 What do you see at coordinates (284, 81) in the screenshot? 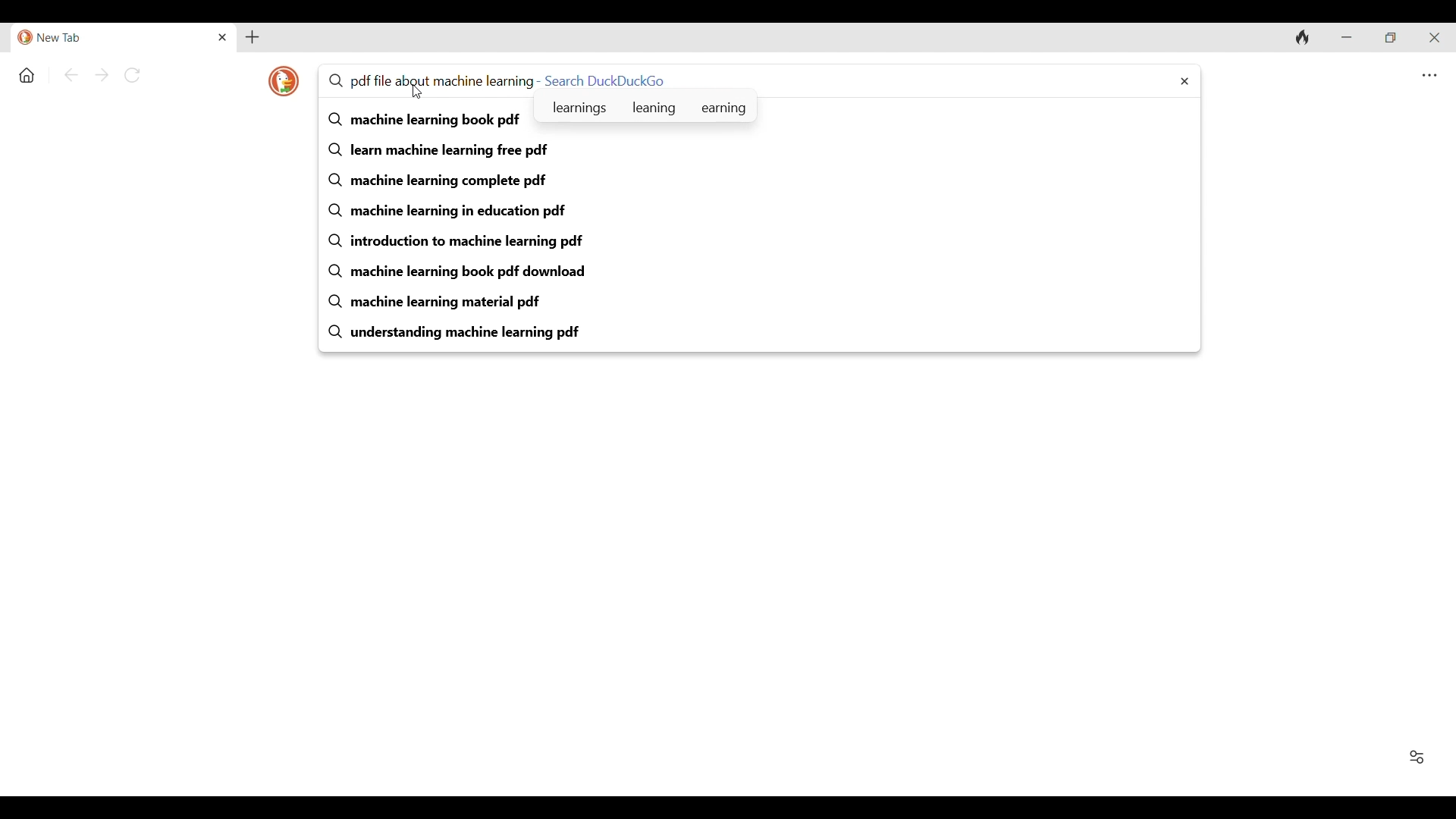
I see `Browser logo` at bounding box center [284, 81].